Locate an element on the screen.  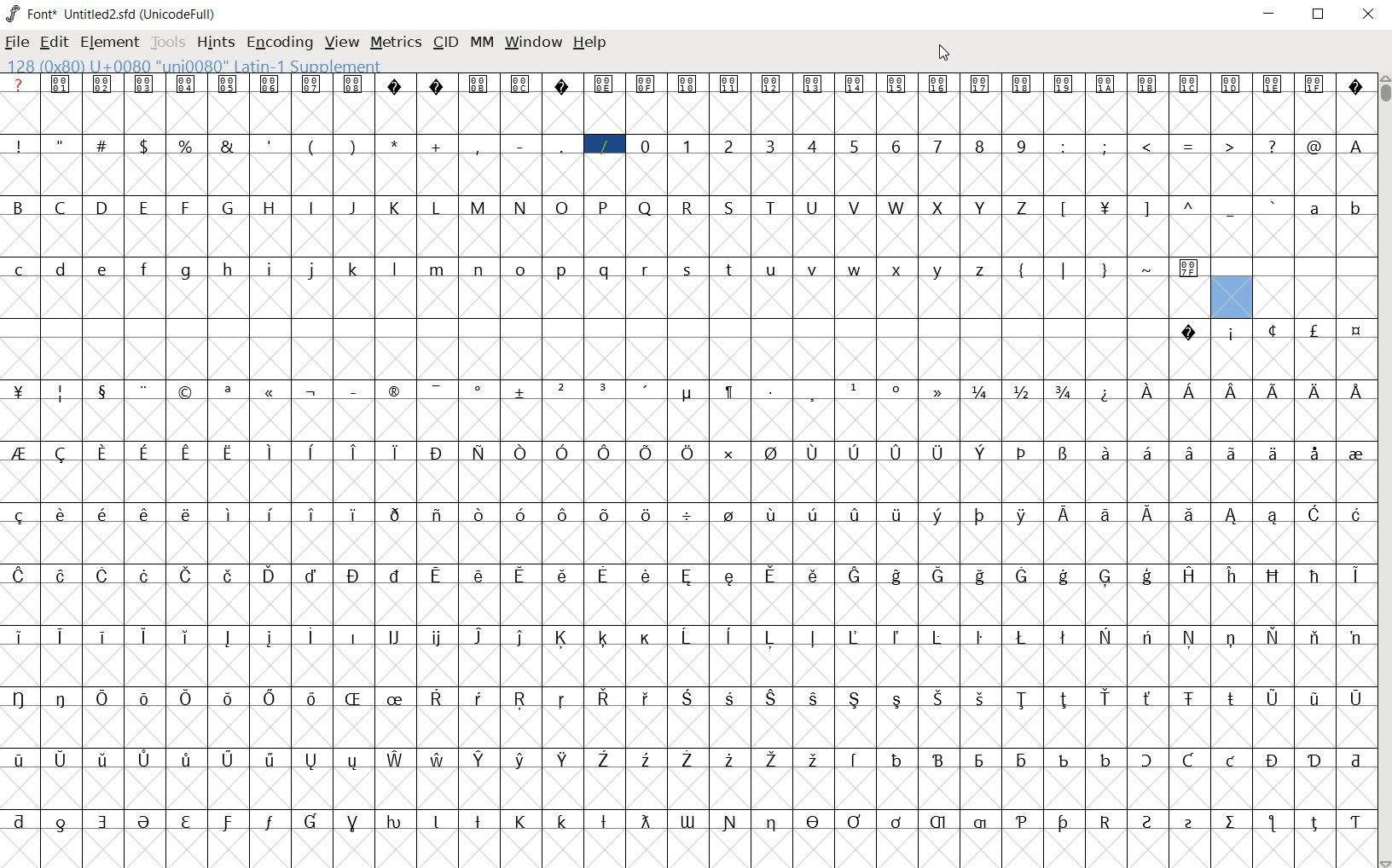
glyph is located at coordinates (938, 85).